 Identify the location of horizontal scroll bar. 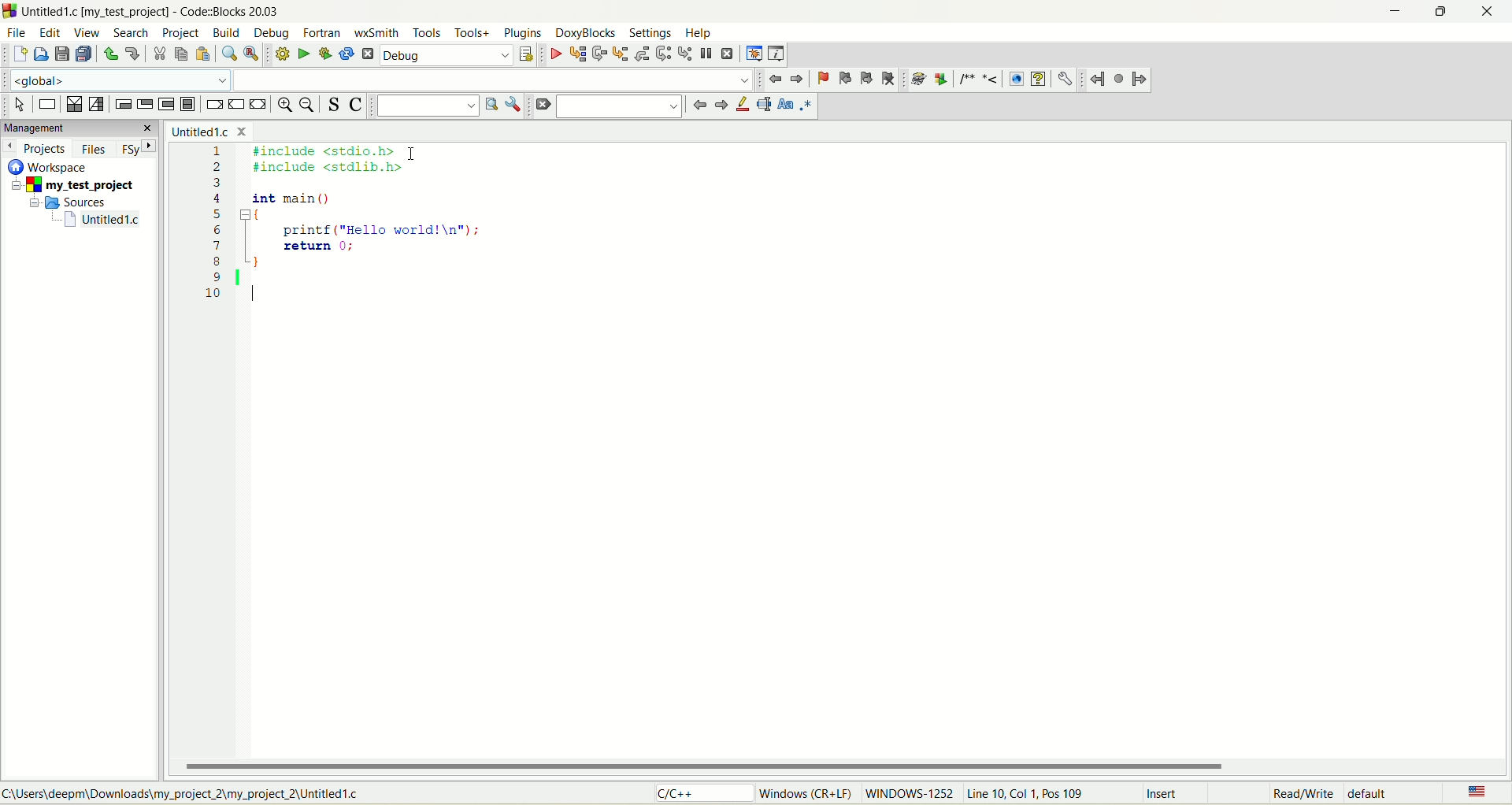
(845, 766).